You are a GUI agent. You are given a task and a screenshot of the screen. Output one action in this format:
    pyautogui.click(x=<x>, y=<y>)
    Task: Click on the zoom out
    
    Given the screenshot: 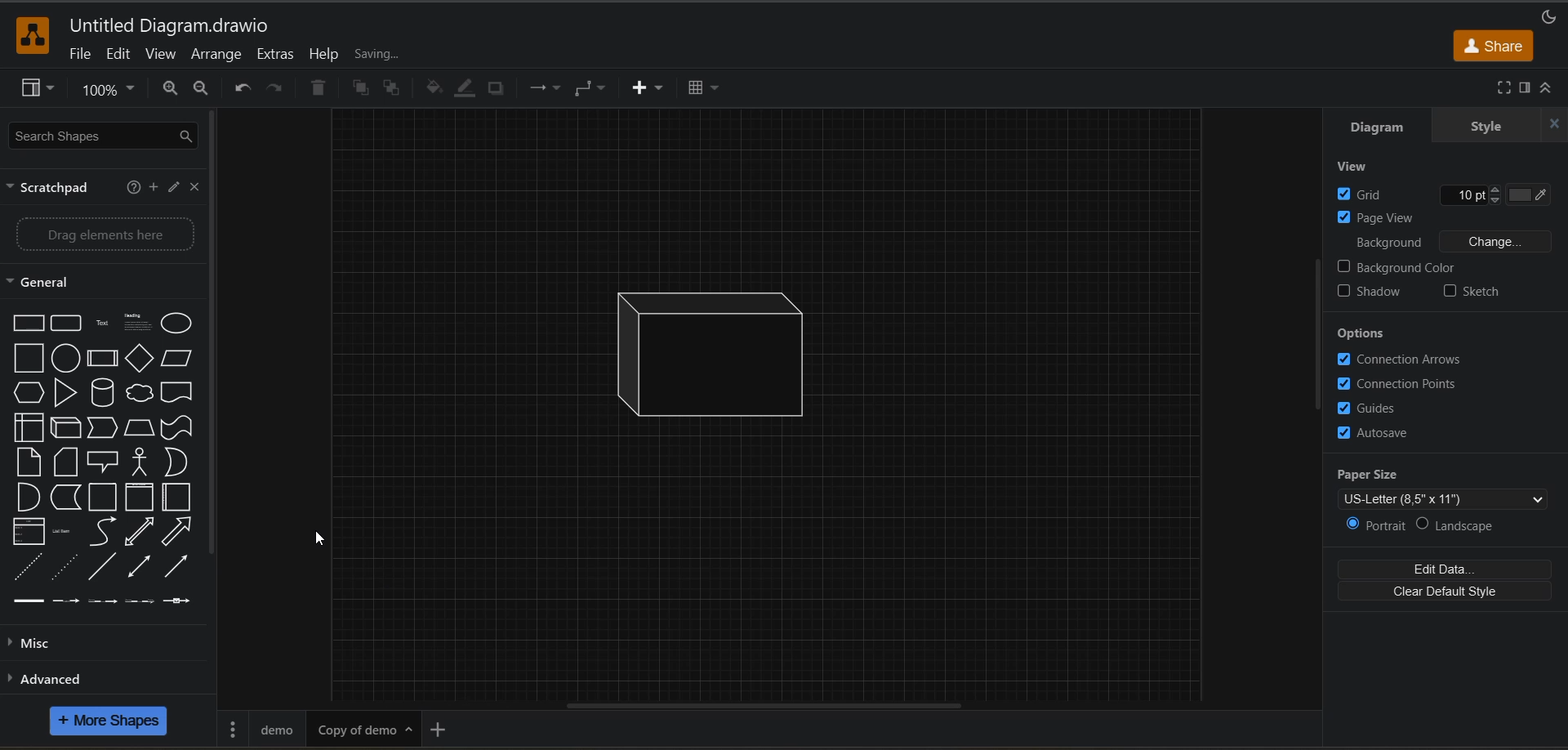 What is the action you would take?
    pyautogui.click(x=170, y=88)
    